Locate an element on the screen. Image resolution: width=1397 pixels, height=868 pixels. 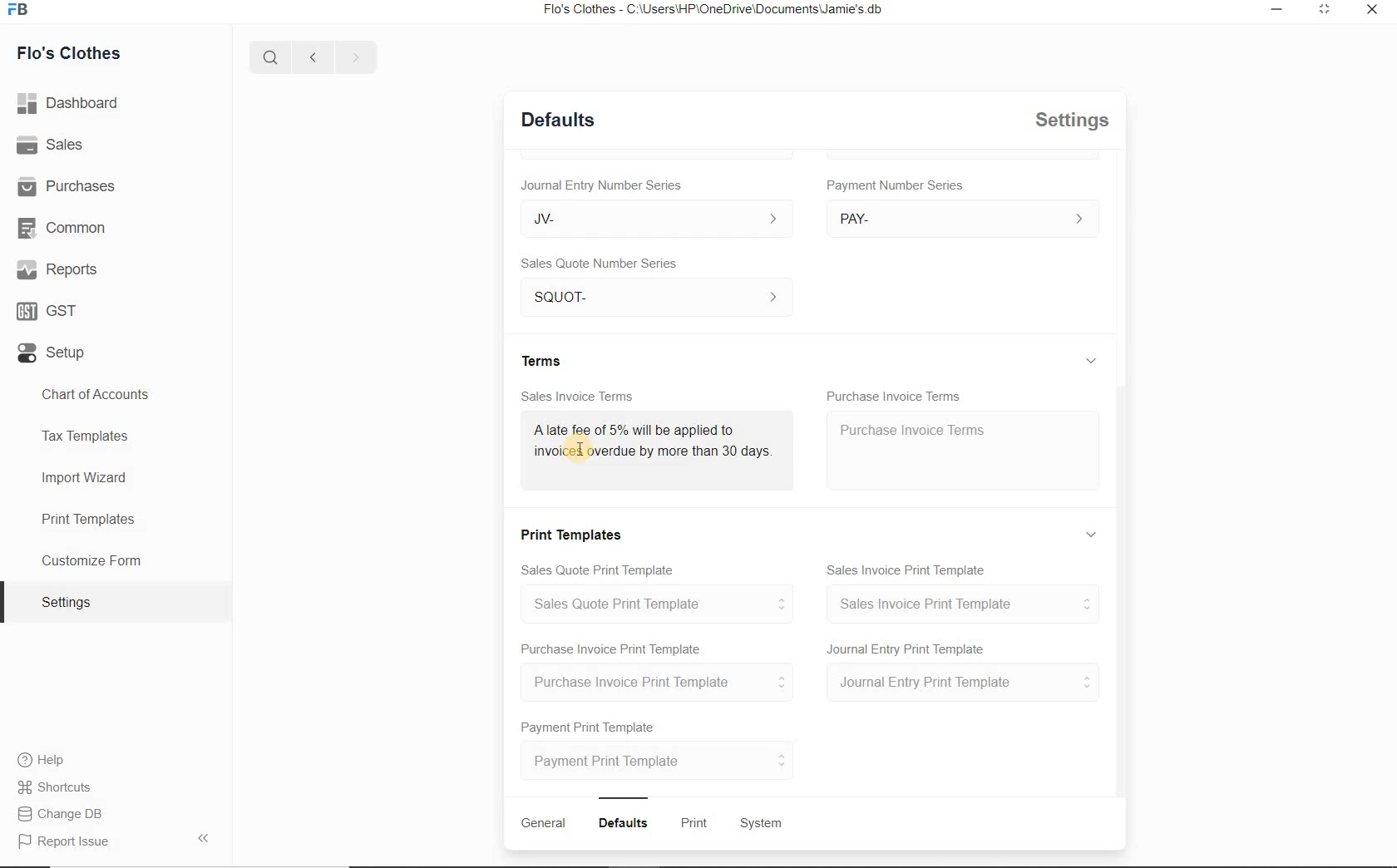
SQUOT is located at coordinates (662, 294).